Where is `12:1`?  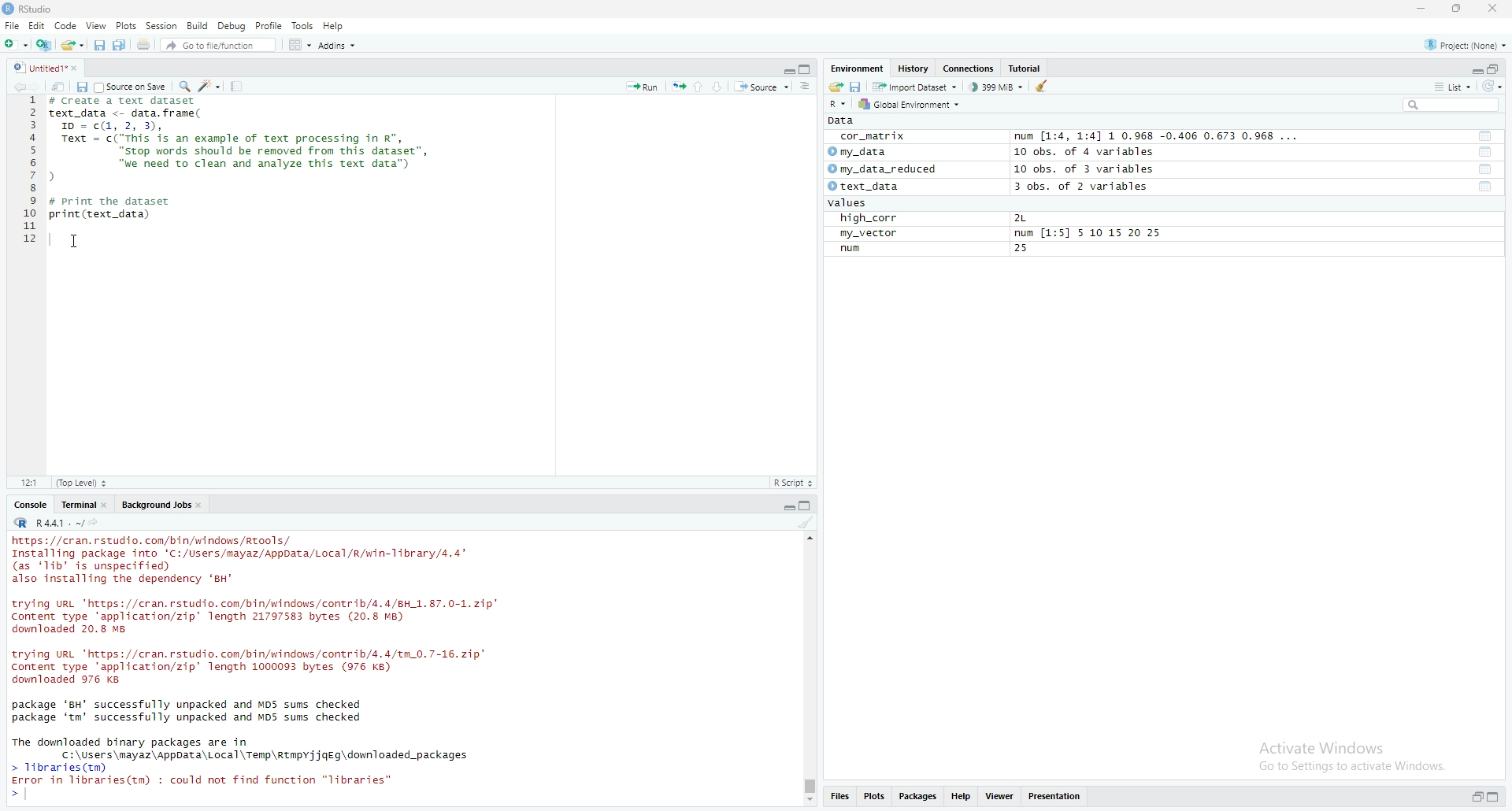
12:1 is located at coordinates (30, 483).